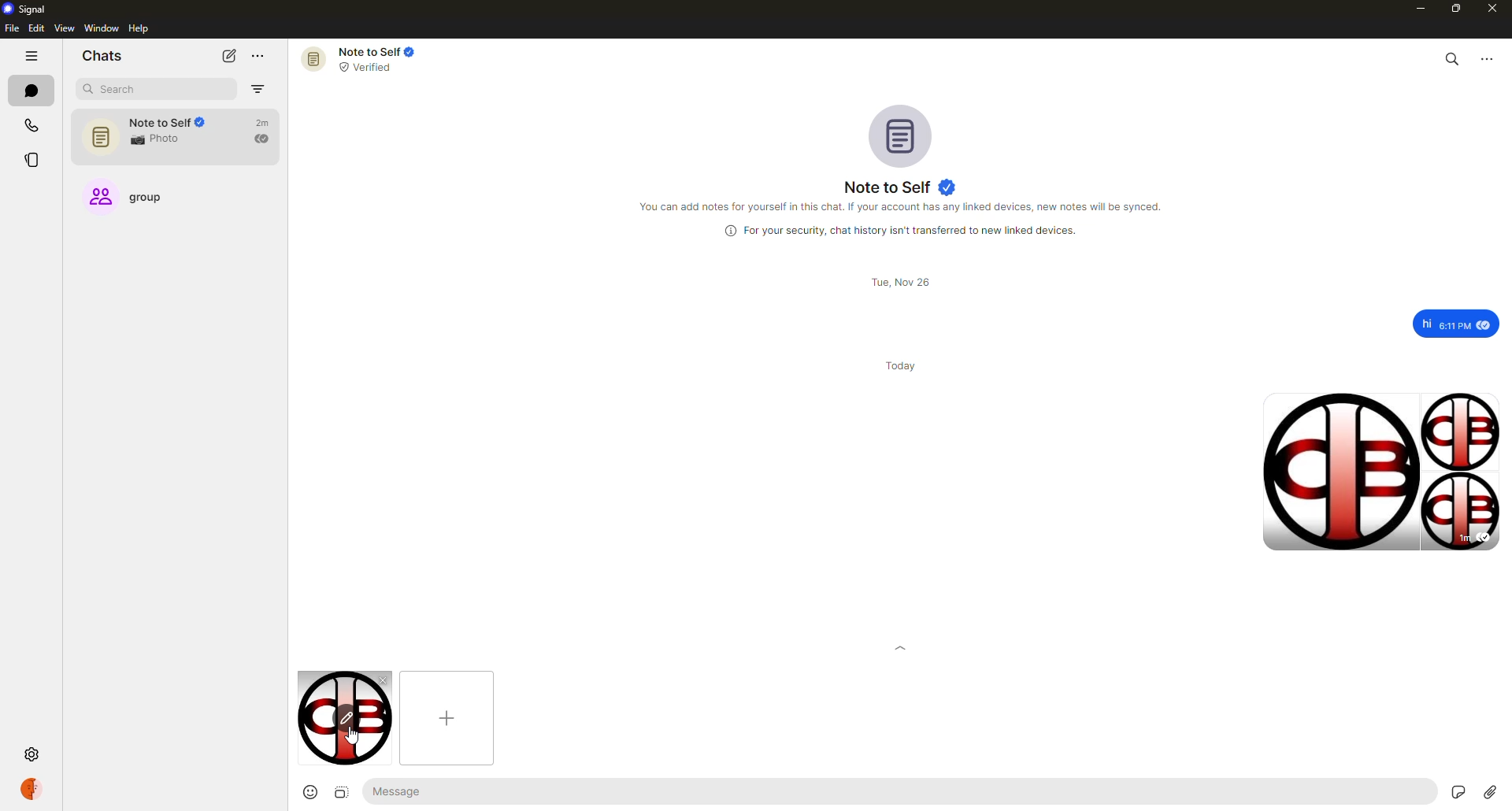 Image resolution: width=1512 pixels, height=811 pixels. Describe the element at coordinates (902, 365) in the screenshot. I see `day` at that location.